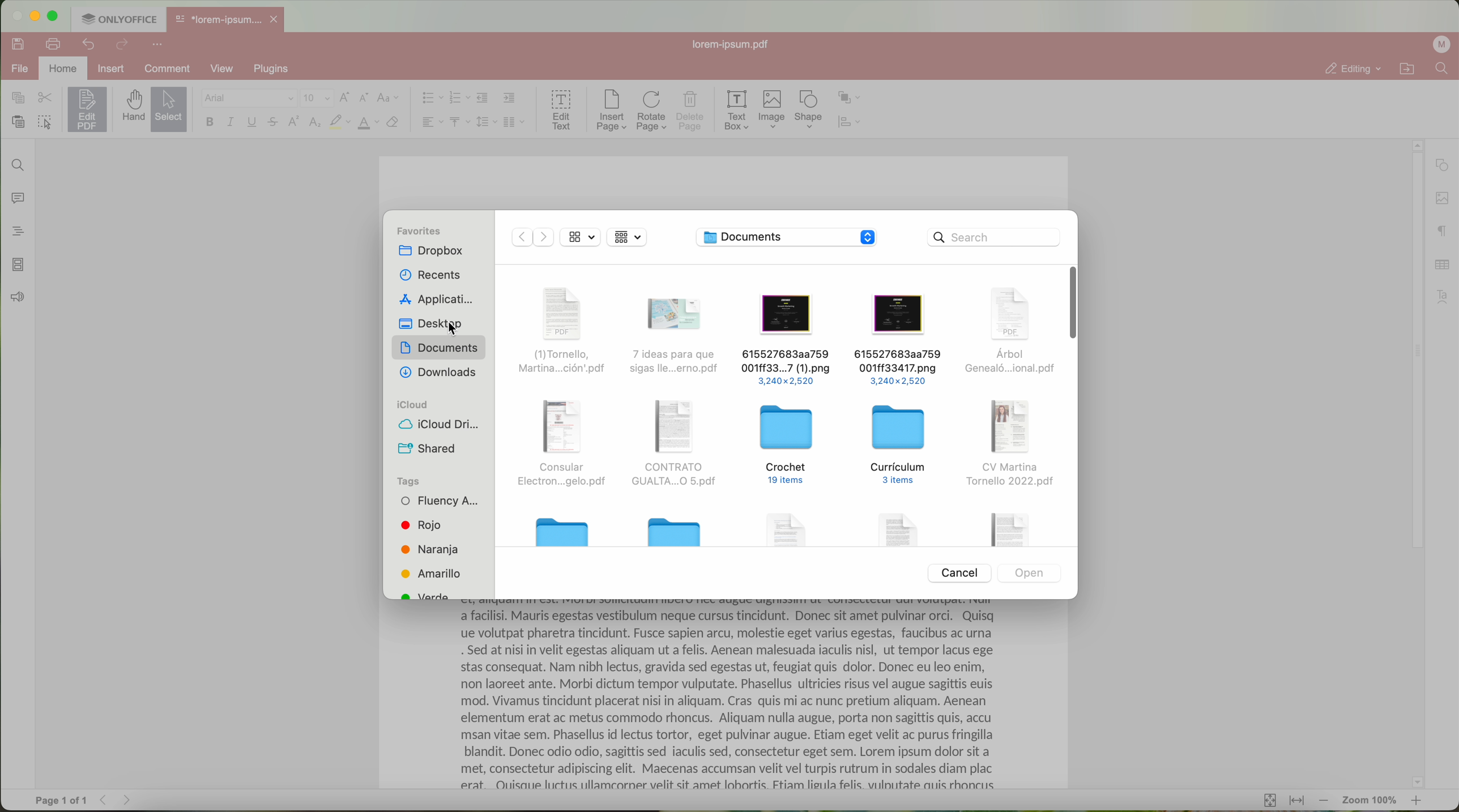 Image resolution: width=1459 pixels, height=812 pixels. I want to click on numbering, so click(459, 99).